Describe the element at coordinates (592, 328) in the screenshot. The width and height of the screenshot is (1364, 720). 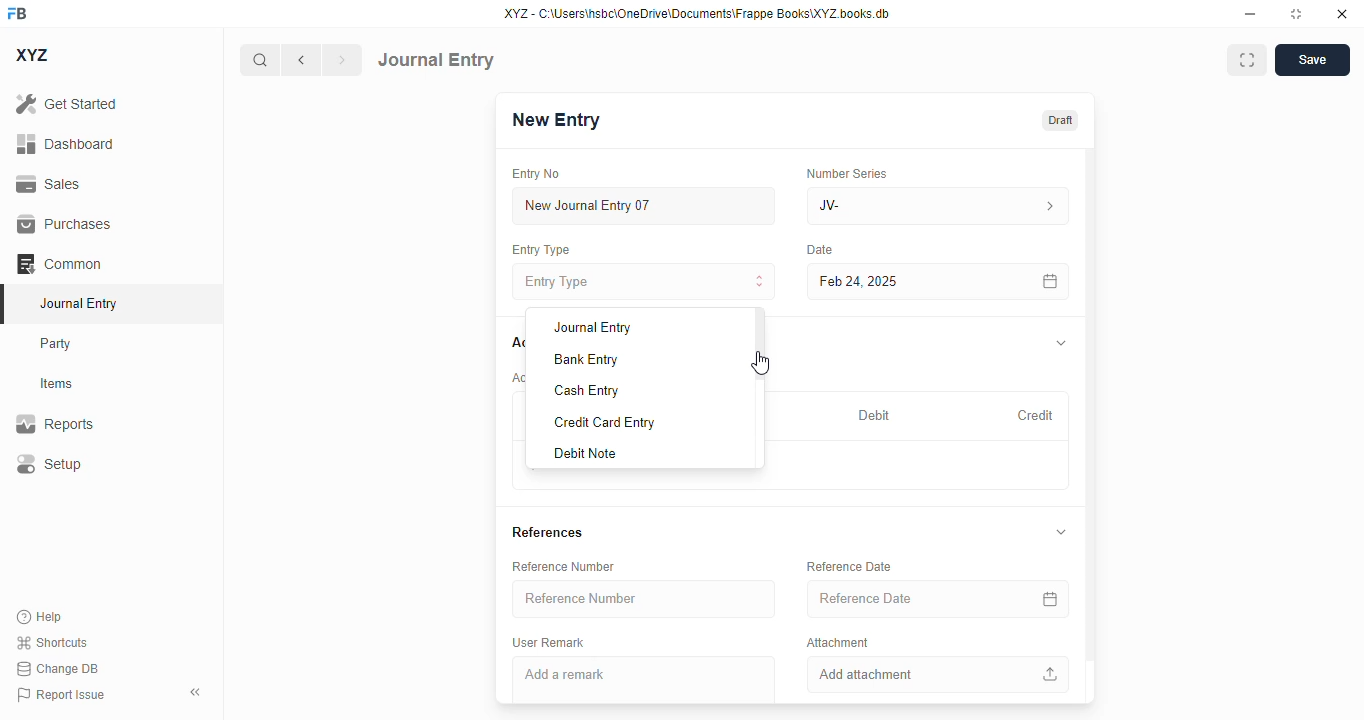
I see `journal entry` at that location.